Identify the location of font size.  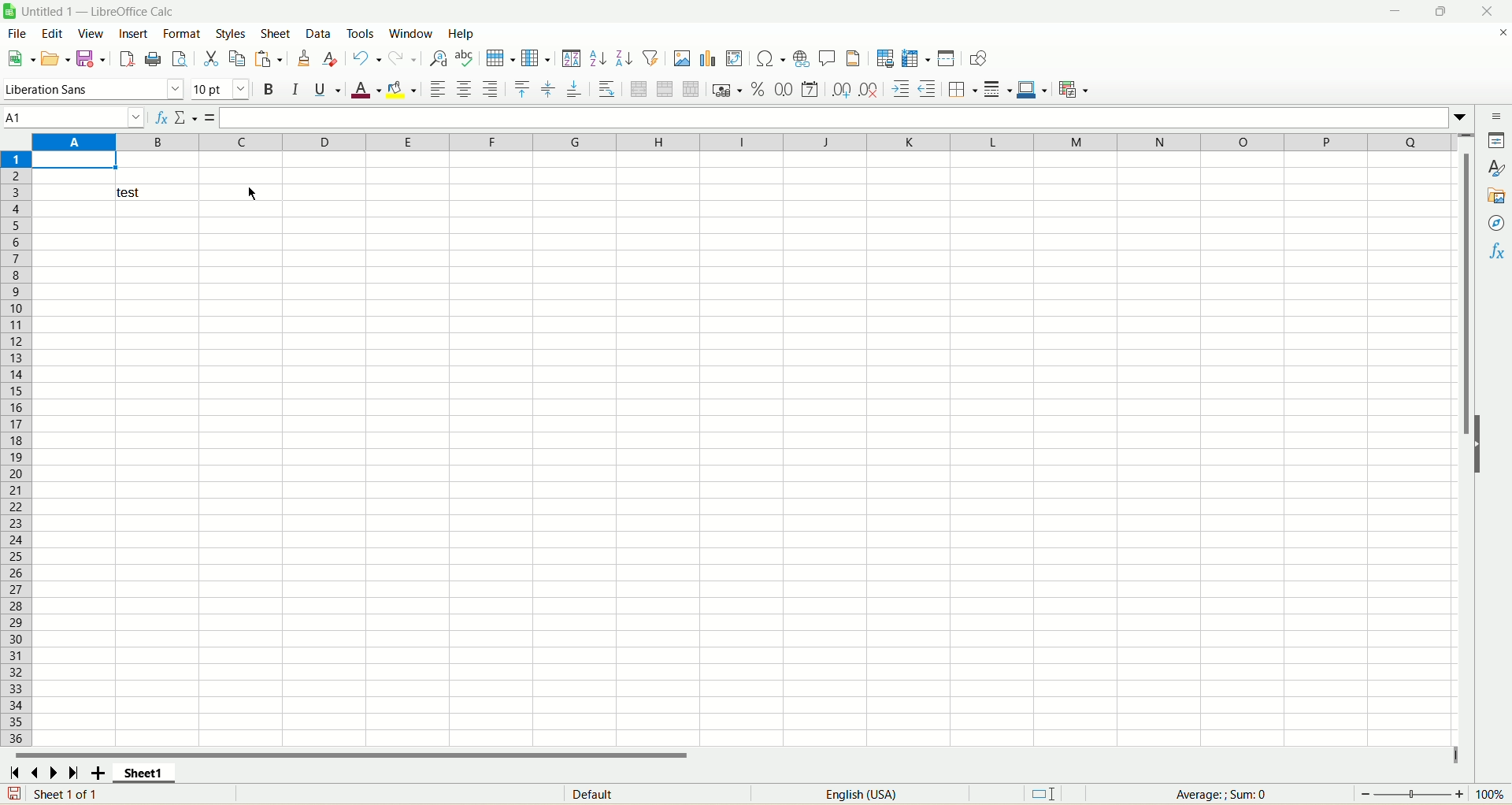
(220, 90).